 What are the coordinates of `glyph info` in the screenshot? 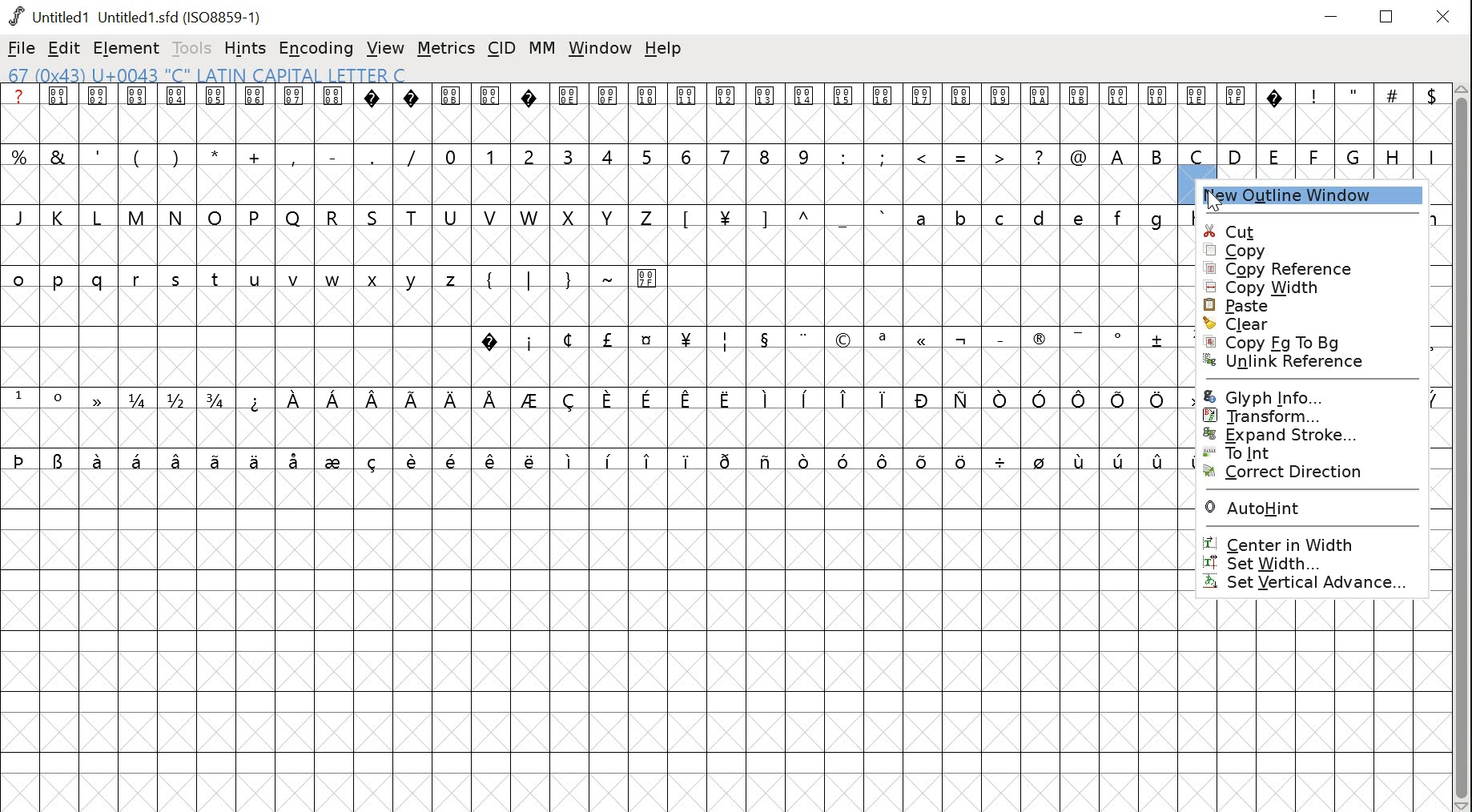 It's located at (1304, 396).